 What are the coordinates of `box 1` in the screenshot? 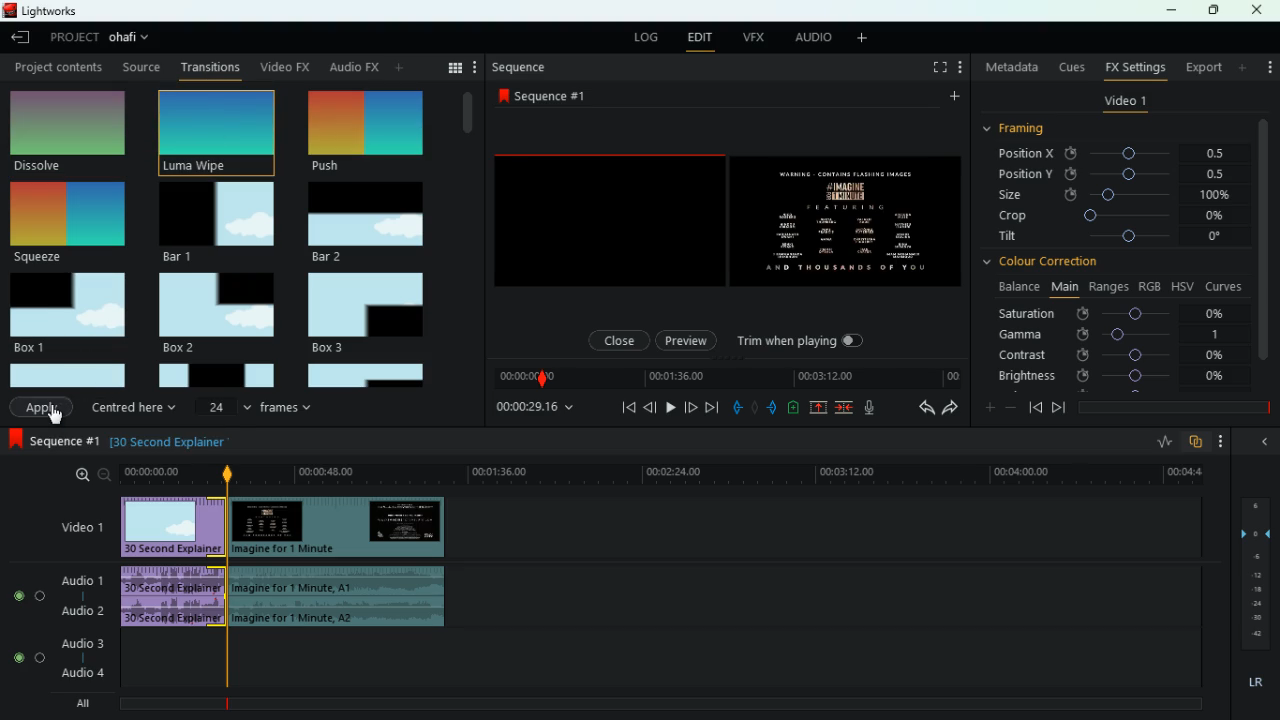 It's located at (71, 311).